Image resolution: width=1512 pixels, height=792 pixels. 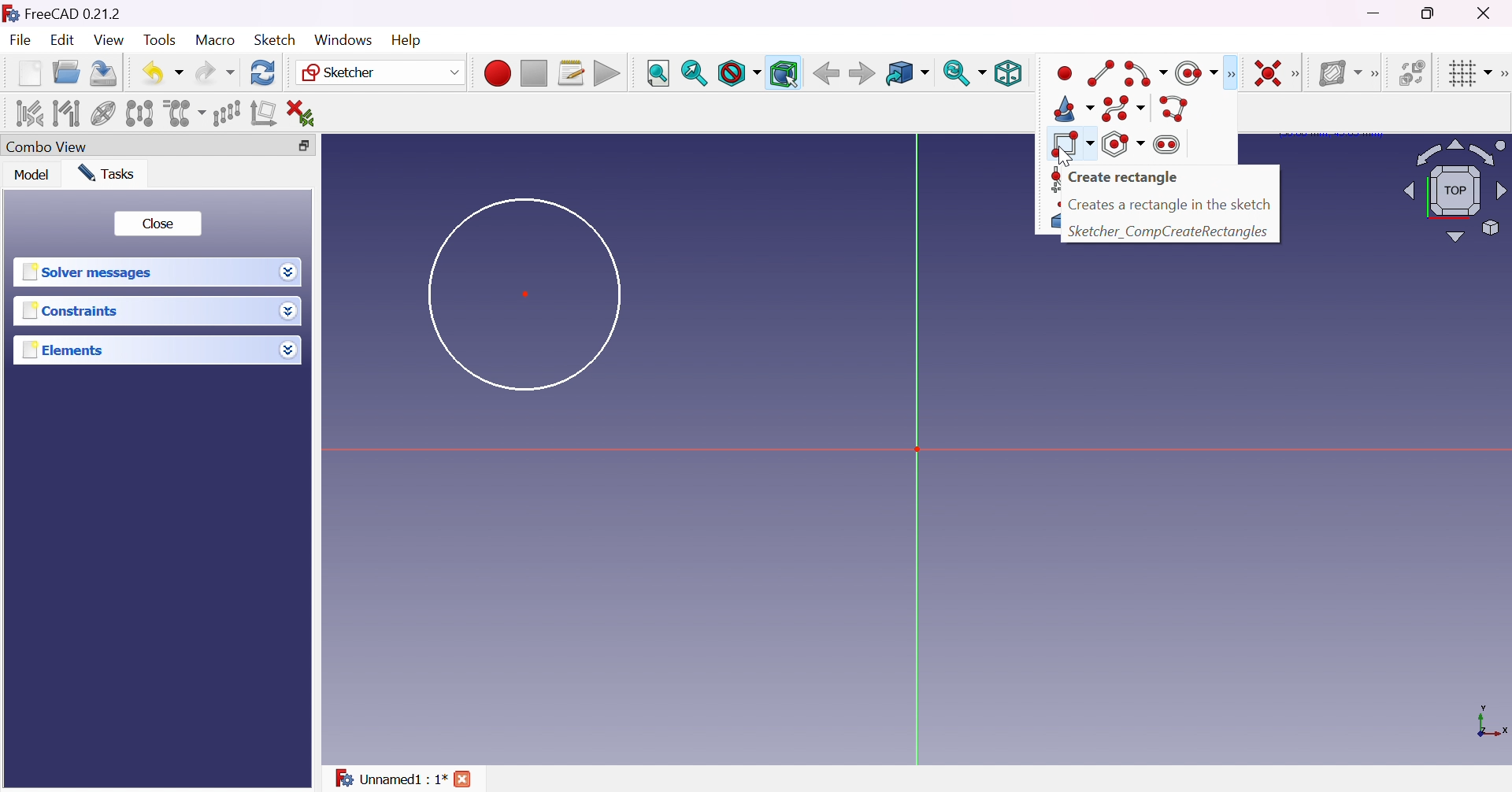 What do you see at coordinates (862, 75) in the screenshot?
I see `Forward` at bounding box center [862, 75].